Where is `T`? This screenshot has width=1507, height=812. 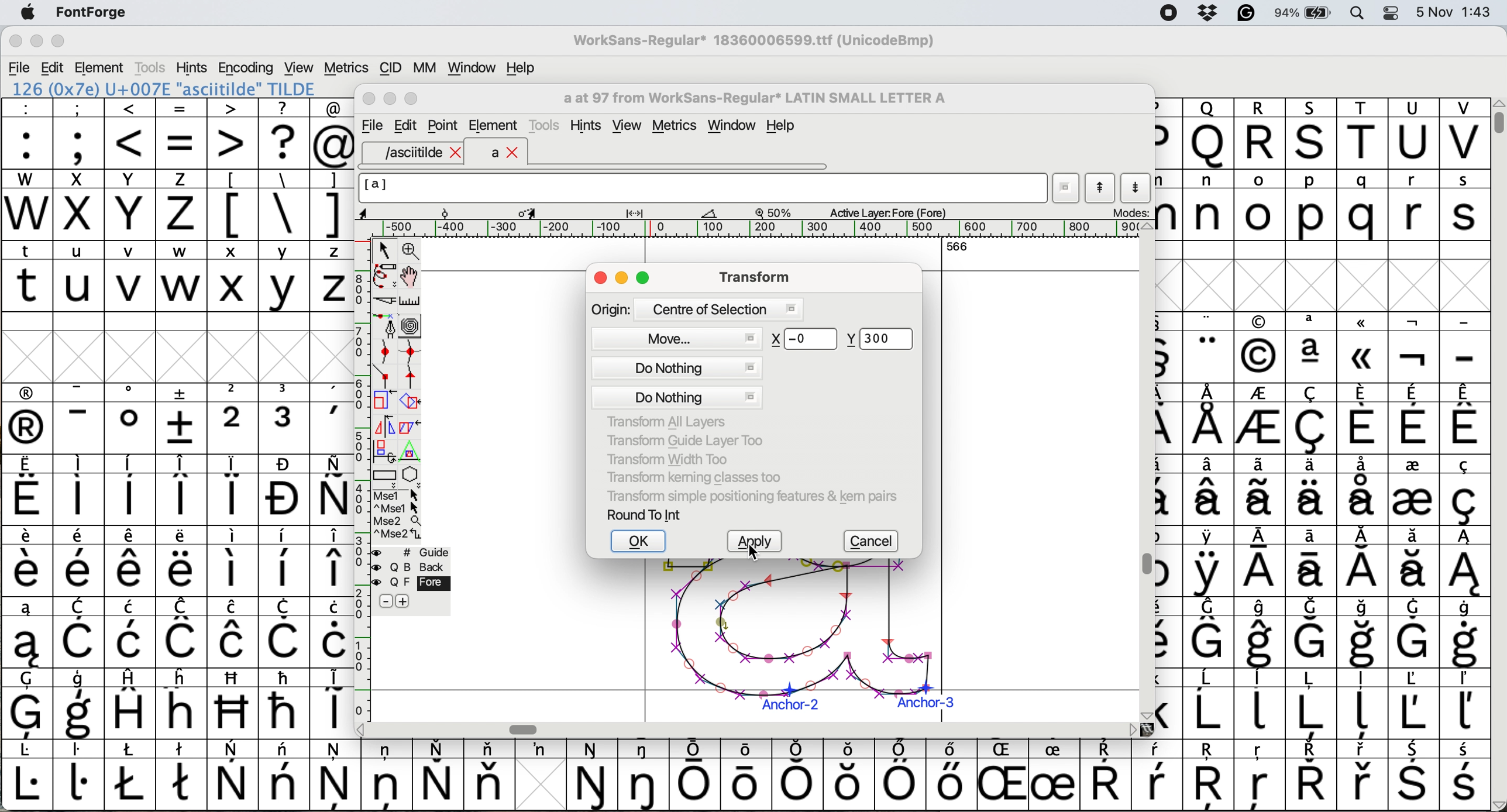 T is located at coordinates (1365, 135).